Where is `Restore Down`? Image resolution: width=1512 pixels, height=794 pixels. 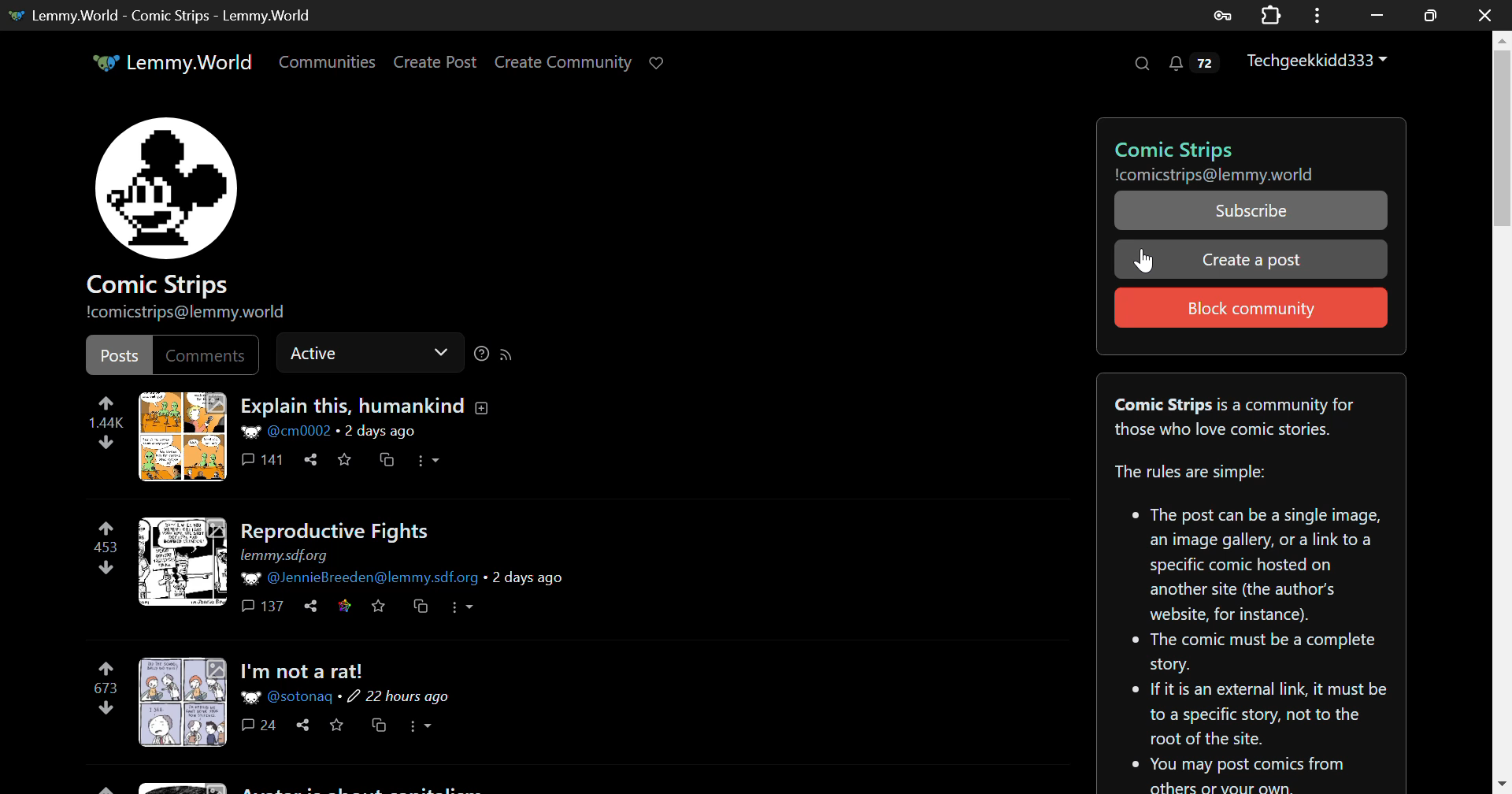 Restore Down is located at coordinates (1378, 13).